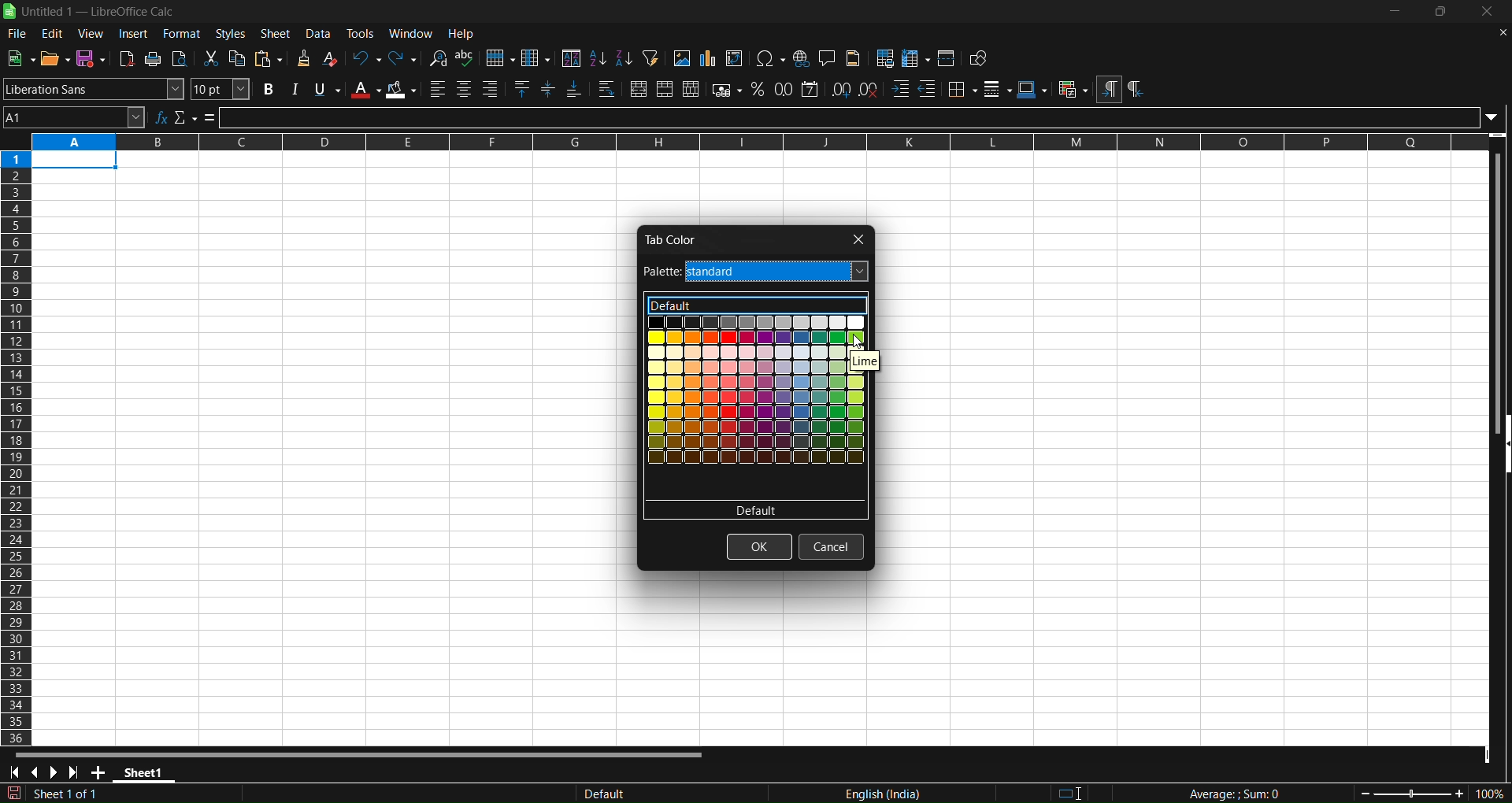 The height and width of the screenshot is (803, 1512). I want to click on underline, so click(327, 90).